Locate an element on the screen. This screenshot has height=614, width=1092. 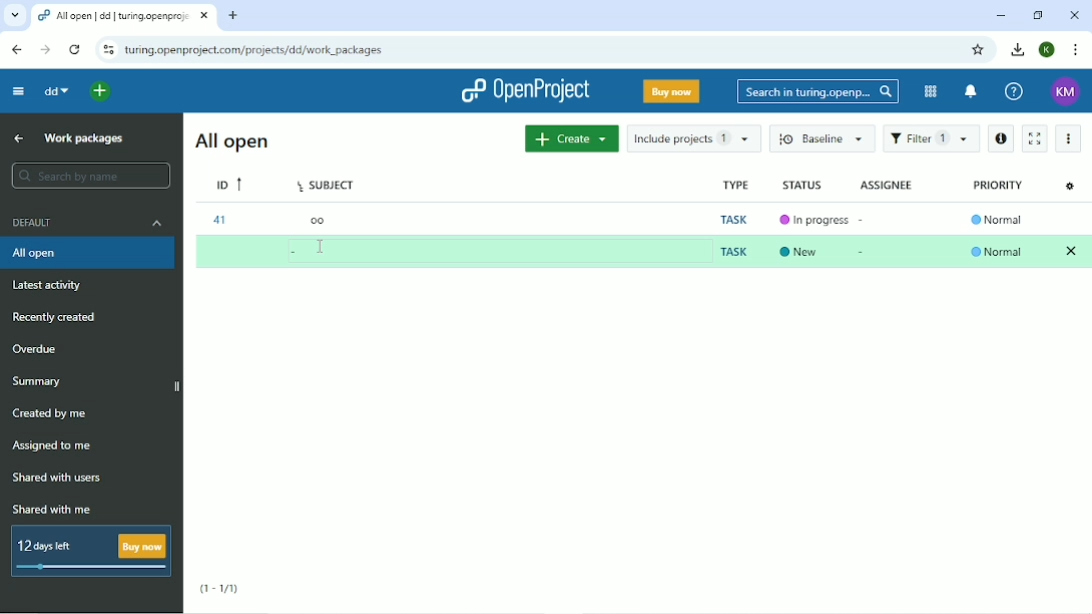
K is located at coordinates (1046, 50).